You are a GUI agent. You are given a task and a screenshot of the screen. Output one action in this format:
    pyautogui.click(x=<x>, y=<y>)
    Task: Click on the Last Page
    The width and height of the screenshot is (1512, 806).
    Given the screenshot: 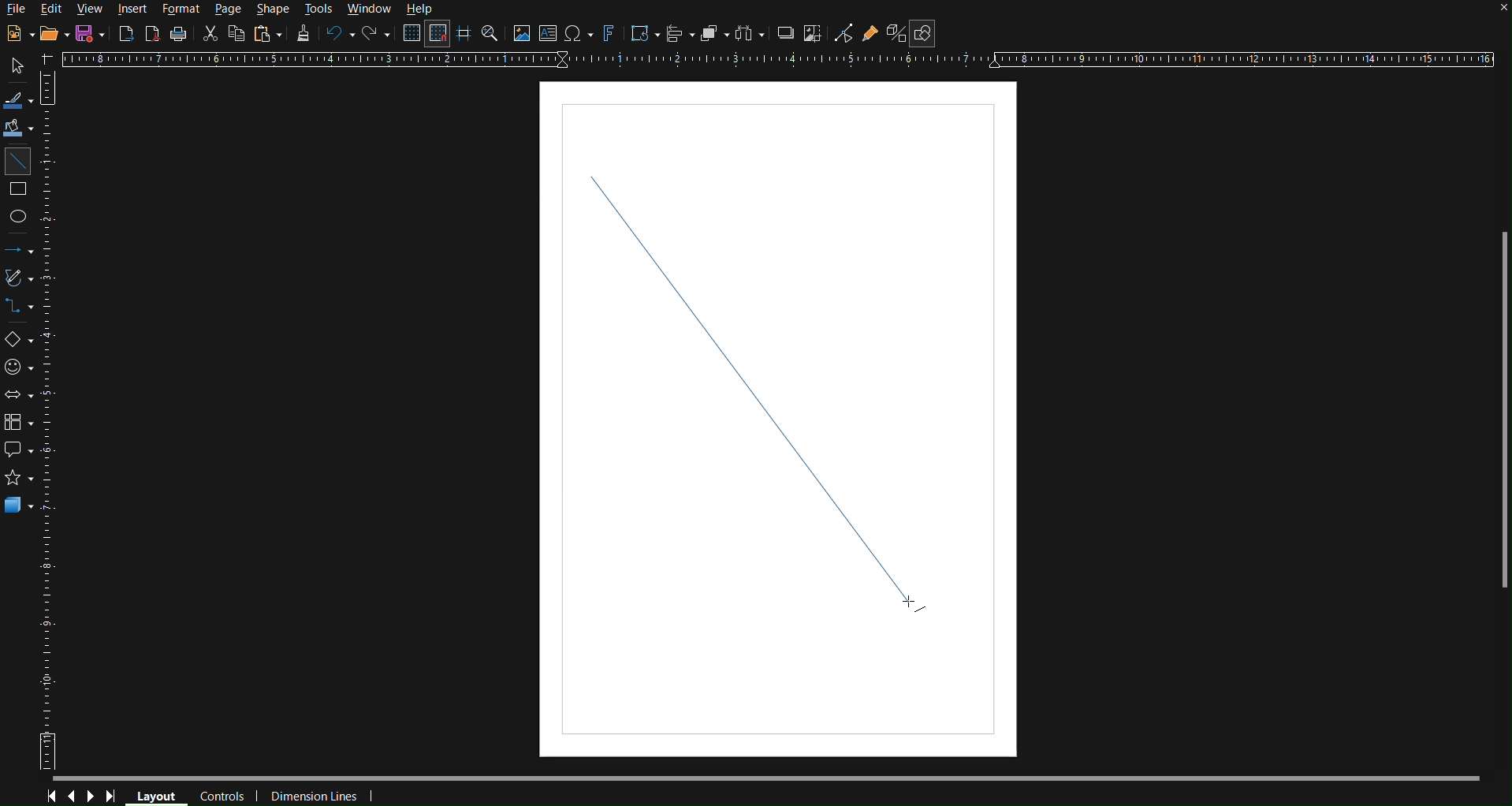 What is the action you would take?
    pyautogui.click(x=115, y=796)
    